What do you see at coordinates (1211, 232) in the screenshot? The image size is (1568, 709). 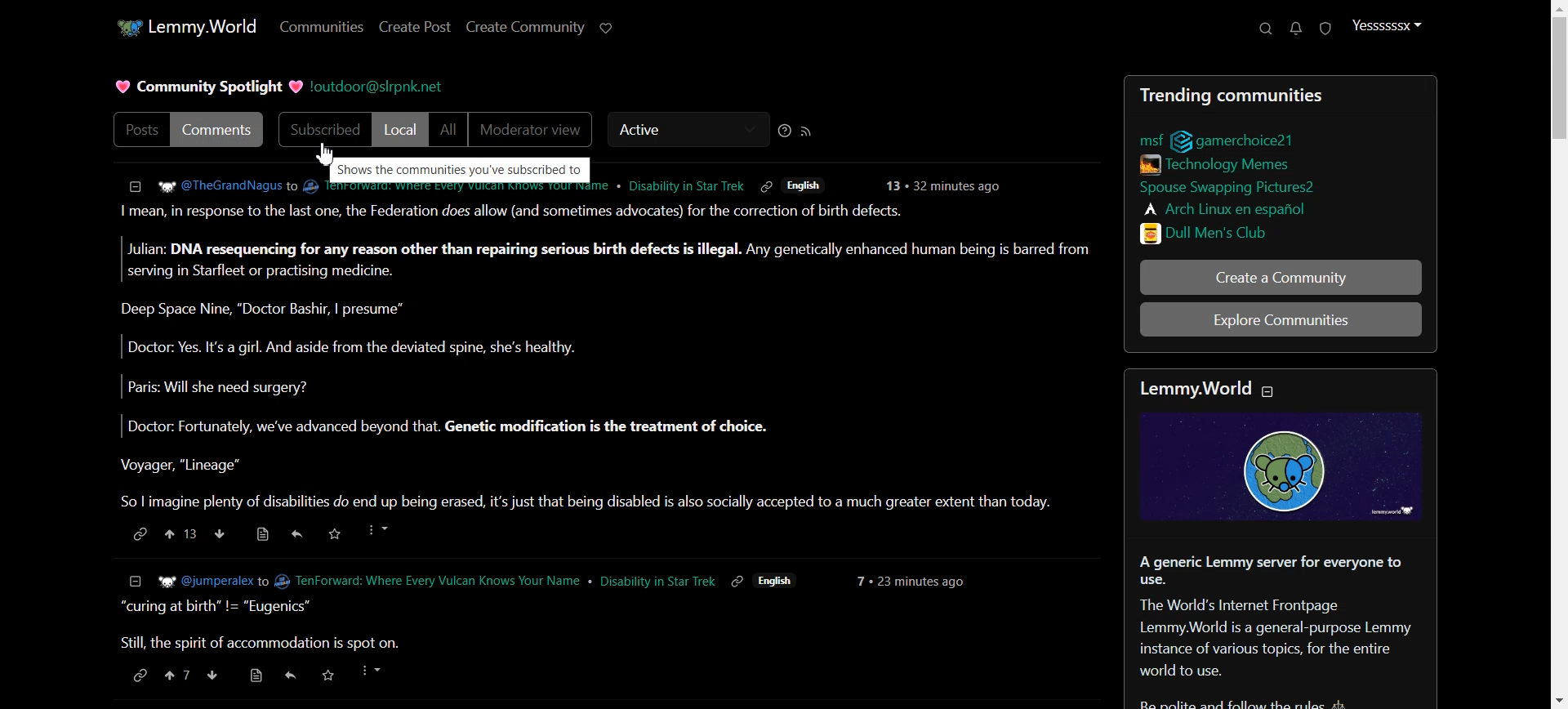 I see `LInks` at bounding box center [1211, 232].